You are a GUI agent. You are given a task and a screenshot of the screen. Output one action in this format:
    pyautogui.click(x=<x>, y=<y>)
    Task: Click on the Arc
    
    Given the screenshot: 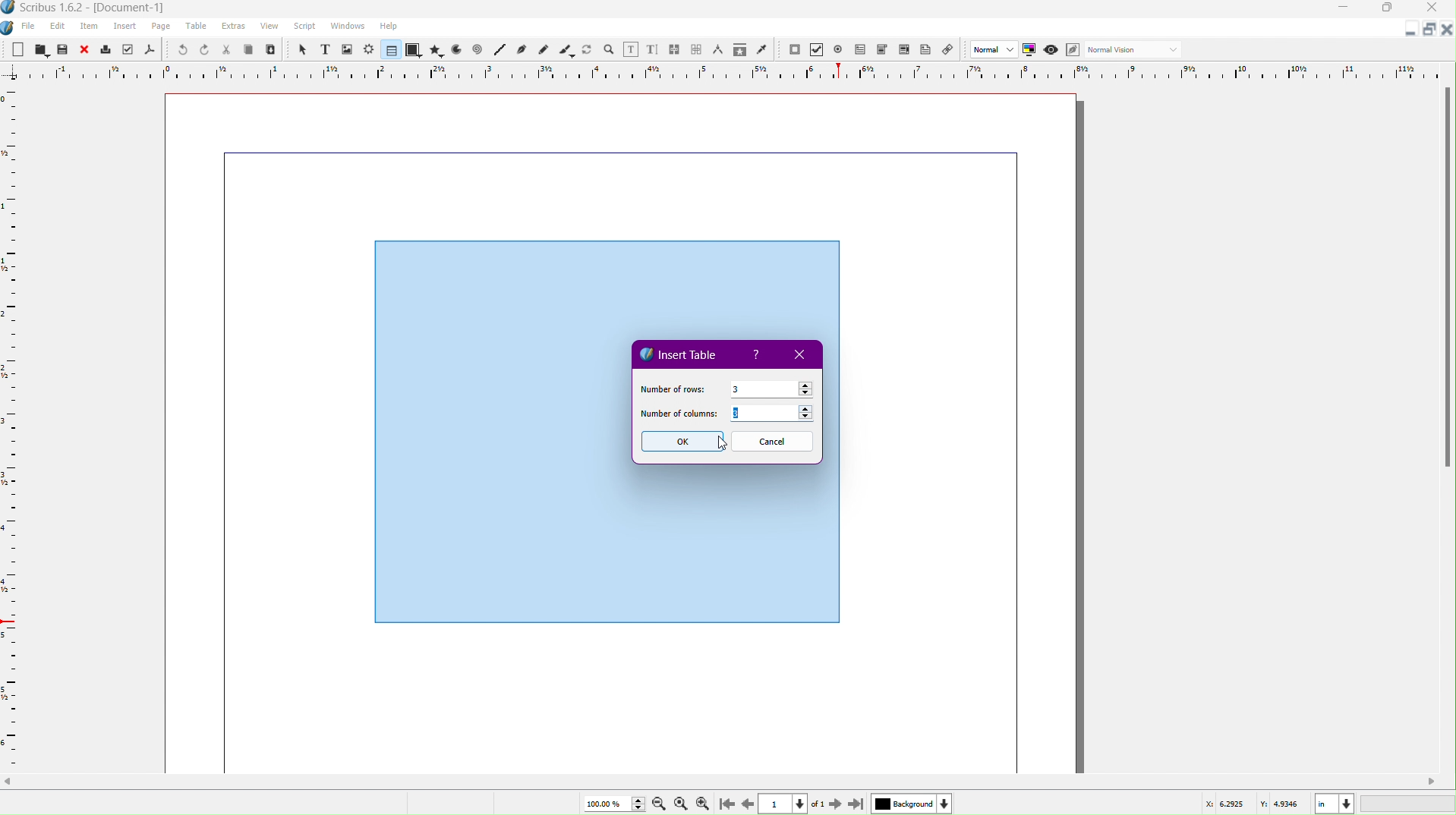 What is the action you would take?
    pyautogui.click(x=456, y=51)
    